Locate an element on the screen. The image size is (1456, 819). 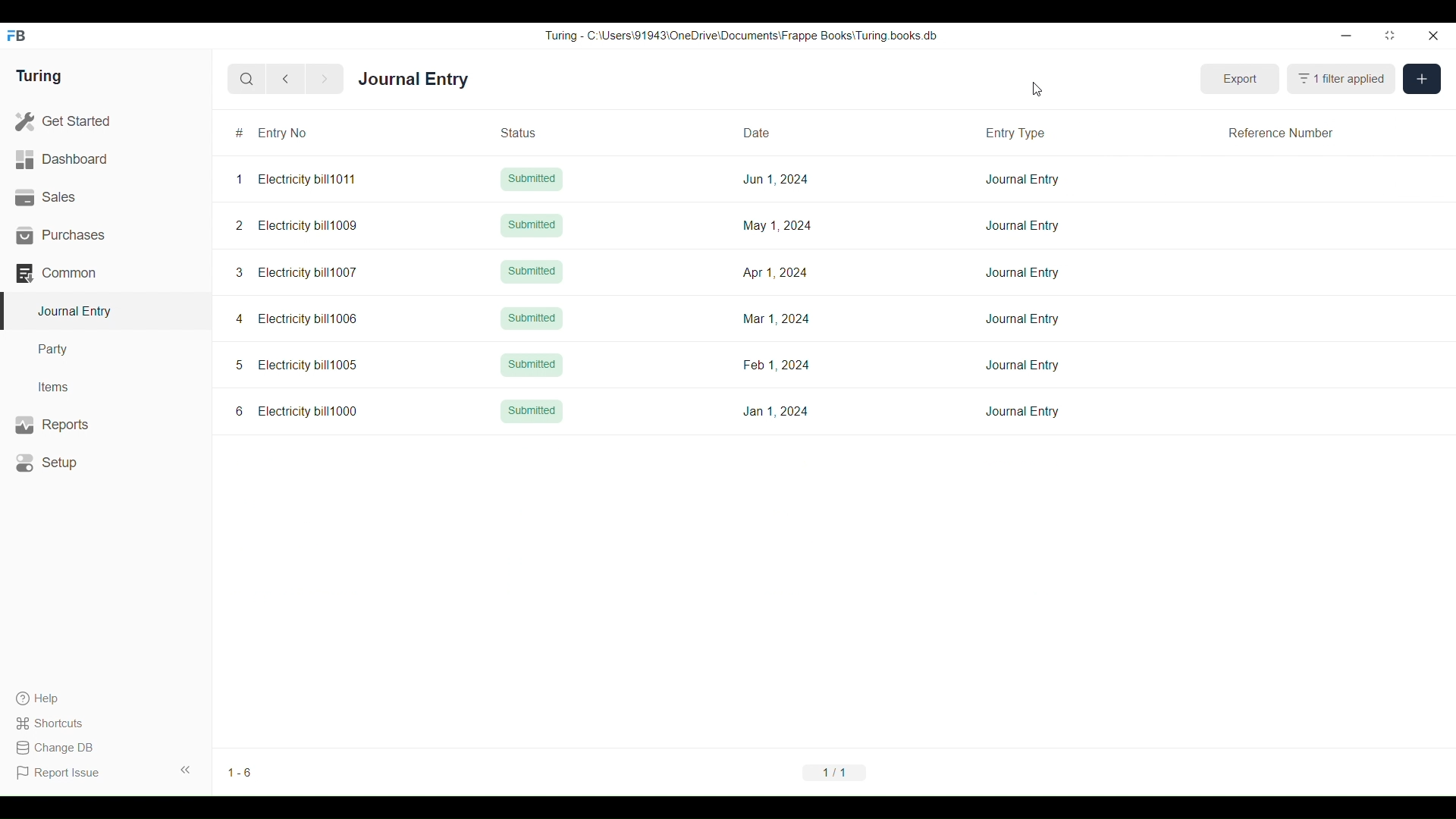
Feb 1,2024 is located at coordinates (776, 364).